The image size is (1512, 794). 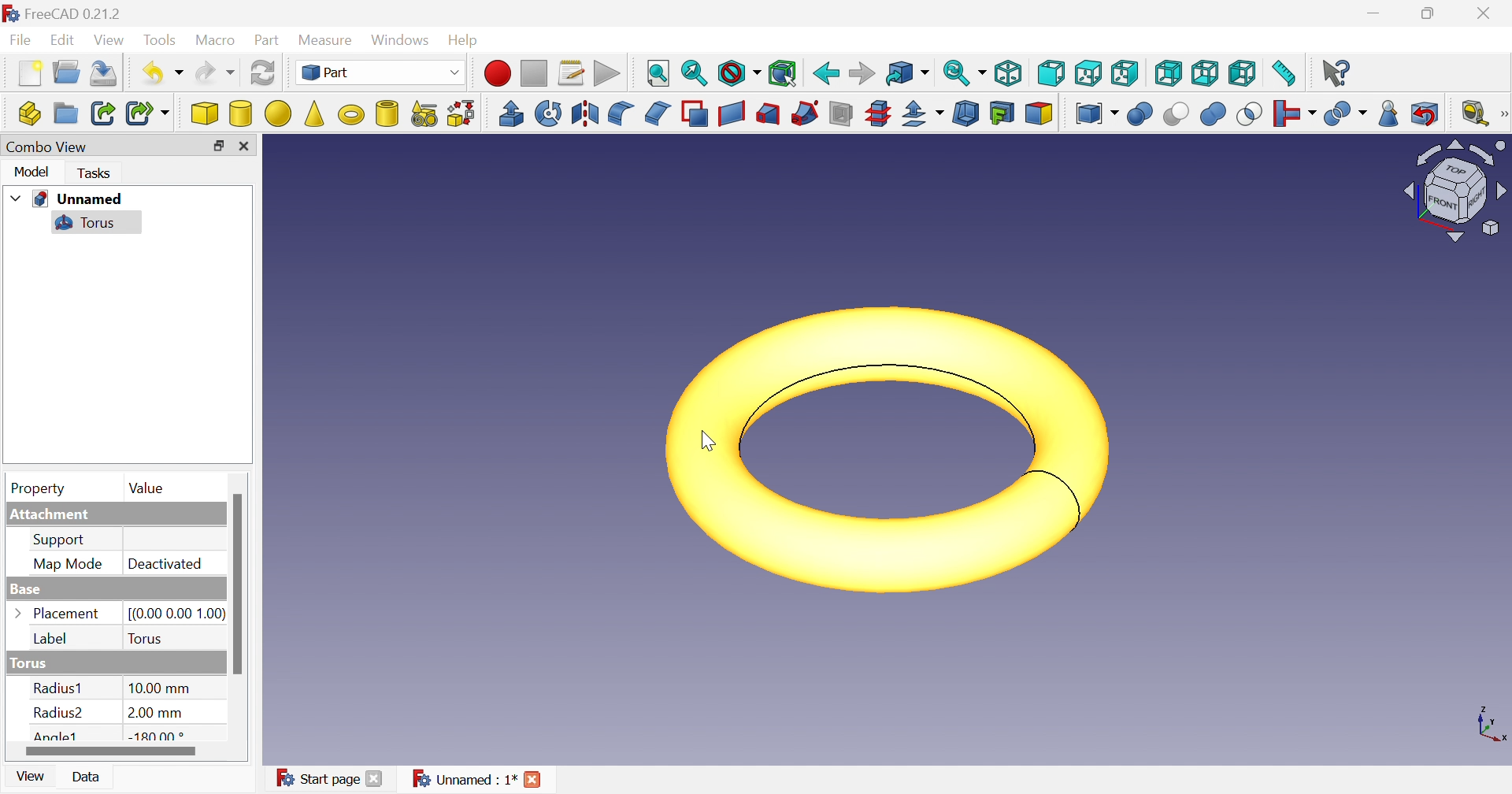 What do you see at coordinates (510, 113) in the screenshot?
I see `Extrude` at bounding box center [510, 113].